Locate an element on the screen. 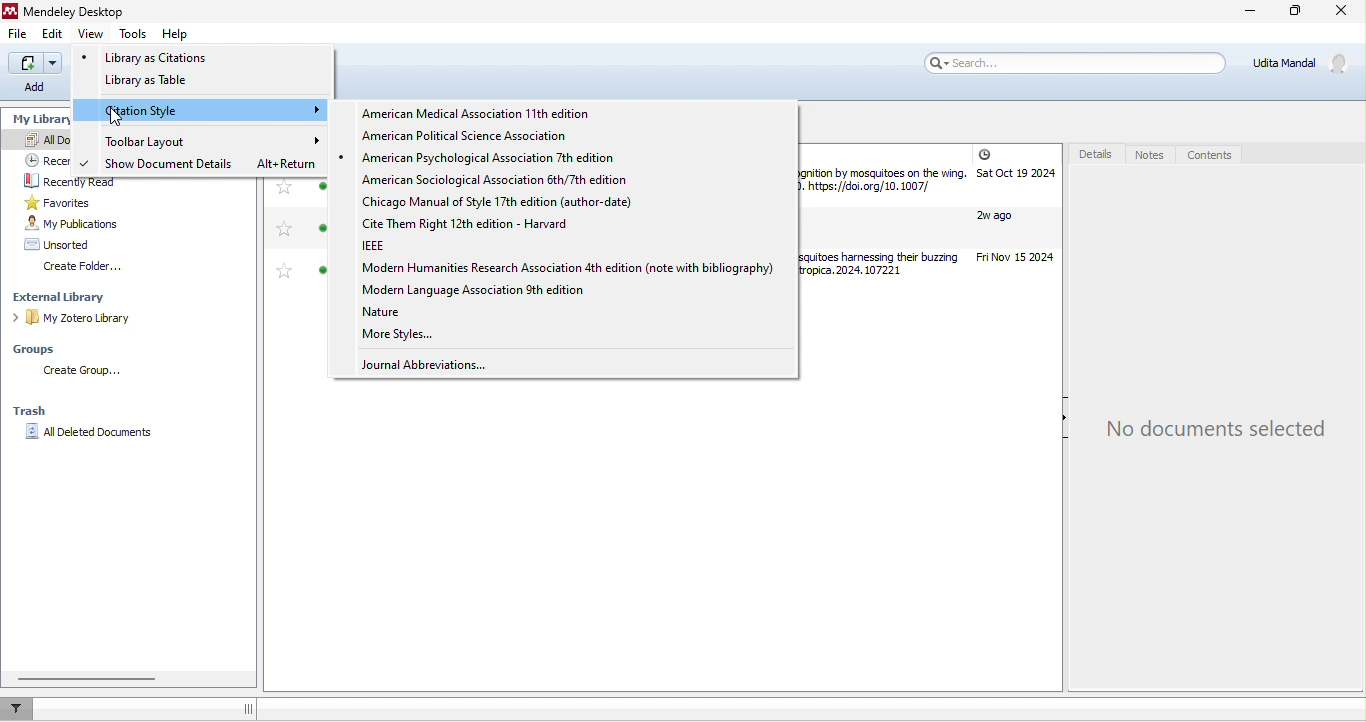  minimize is located at coordinates (1249, 13).